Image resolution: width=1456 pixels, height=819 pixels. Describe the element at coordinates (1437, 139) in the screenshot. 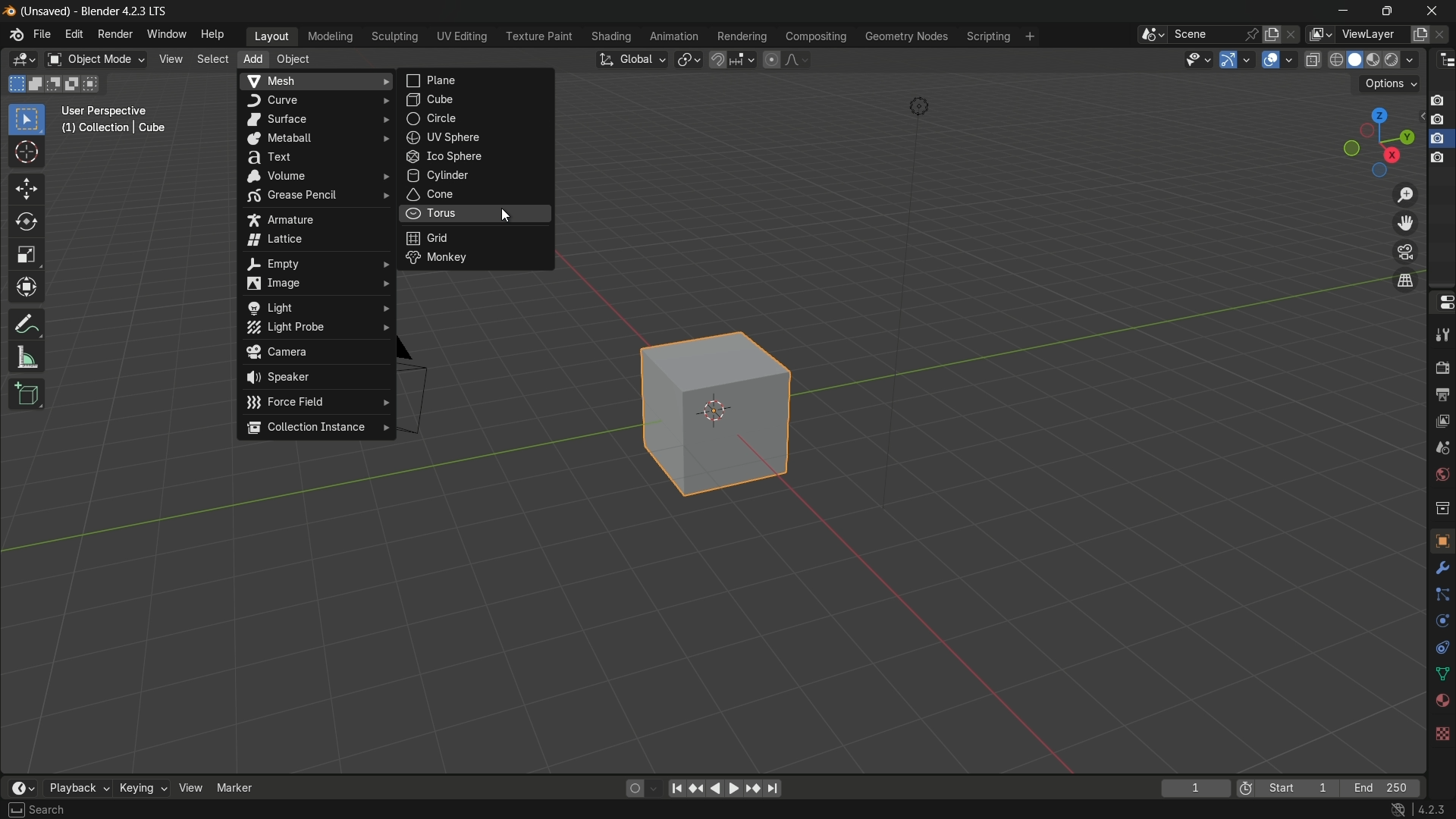

I see `layer 3` at that location.